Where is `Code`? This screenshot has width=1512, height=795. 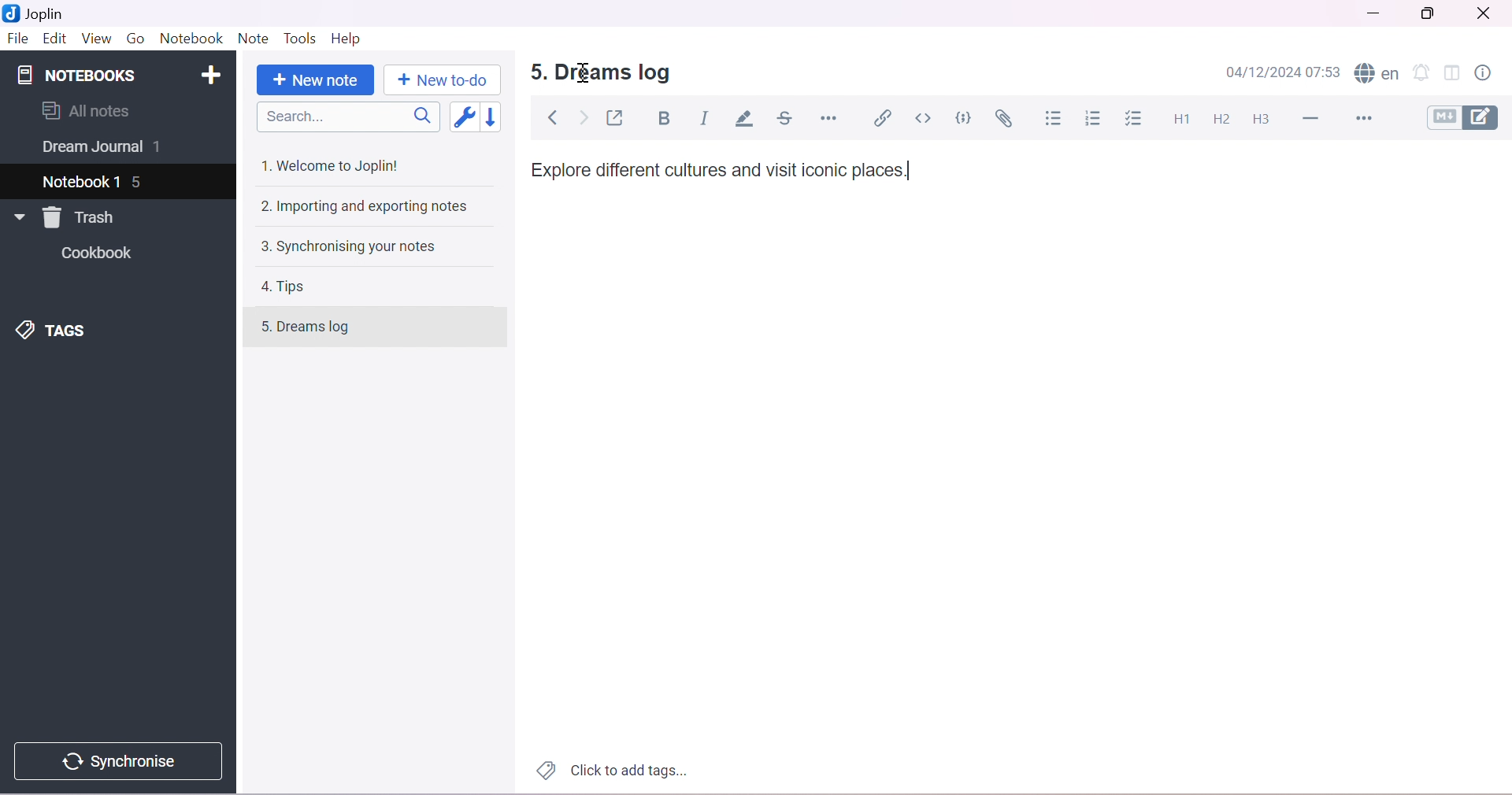 Code is located at coordinates (966, 117).